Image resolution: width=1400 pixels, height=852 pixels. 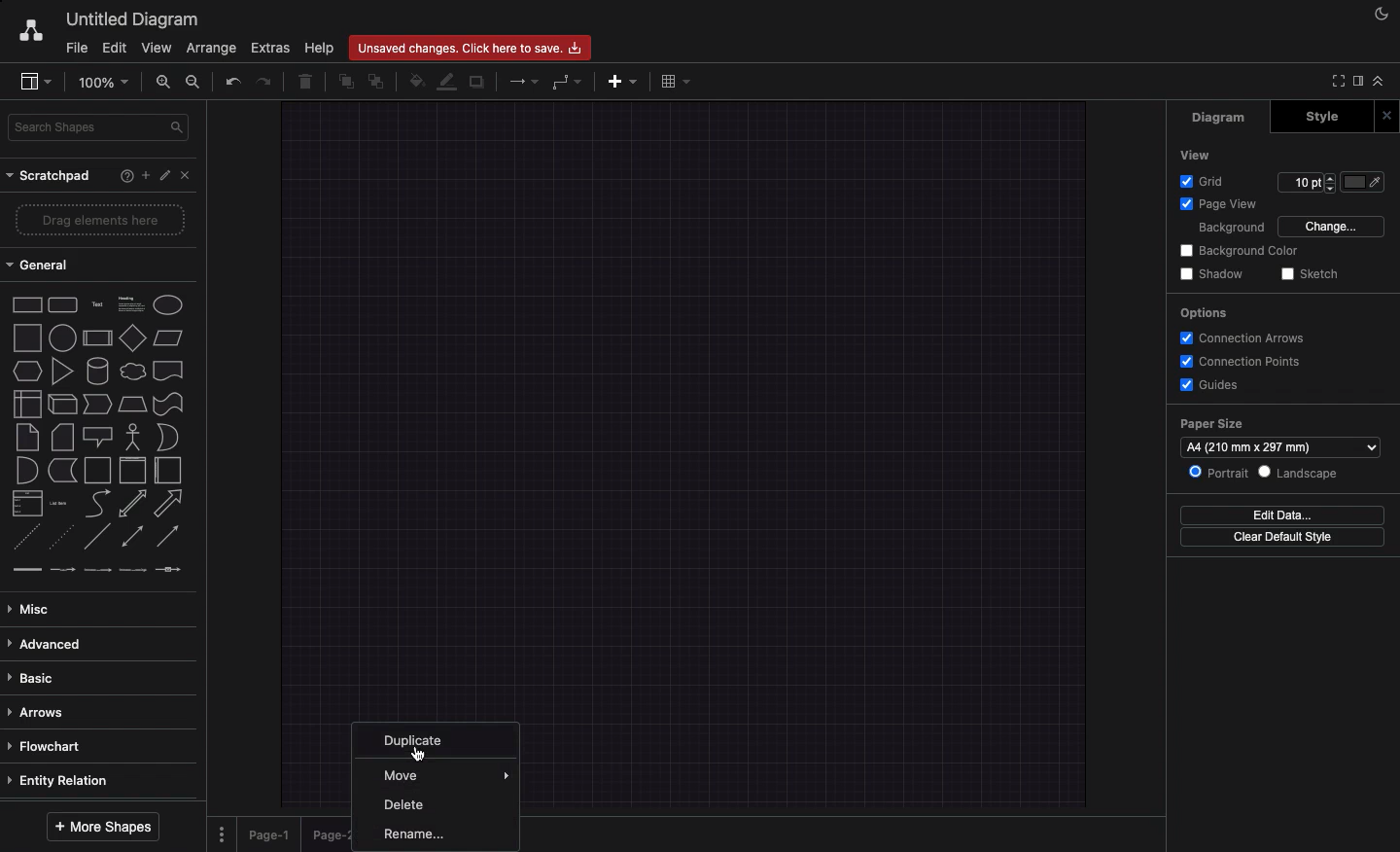 I want to click on Shadow, so click(x=1209, y=275).